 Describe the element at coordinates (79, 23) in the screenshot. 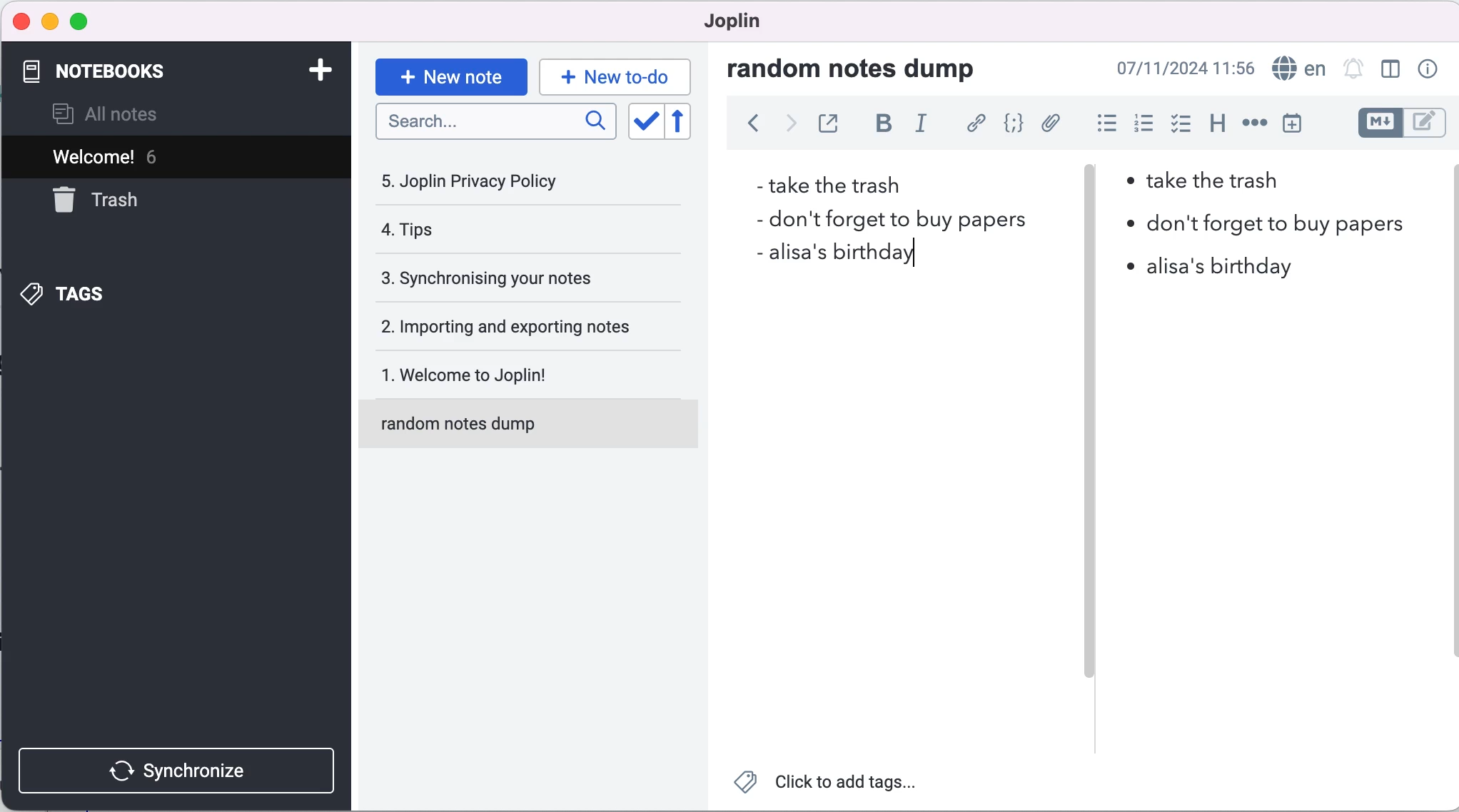

I see `maximize` at that location.